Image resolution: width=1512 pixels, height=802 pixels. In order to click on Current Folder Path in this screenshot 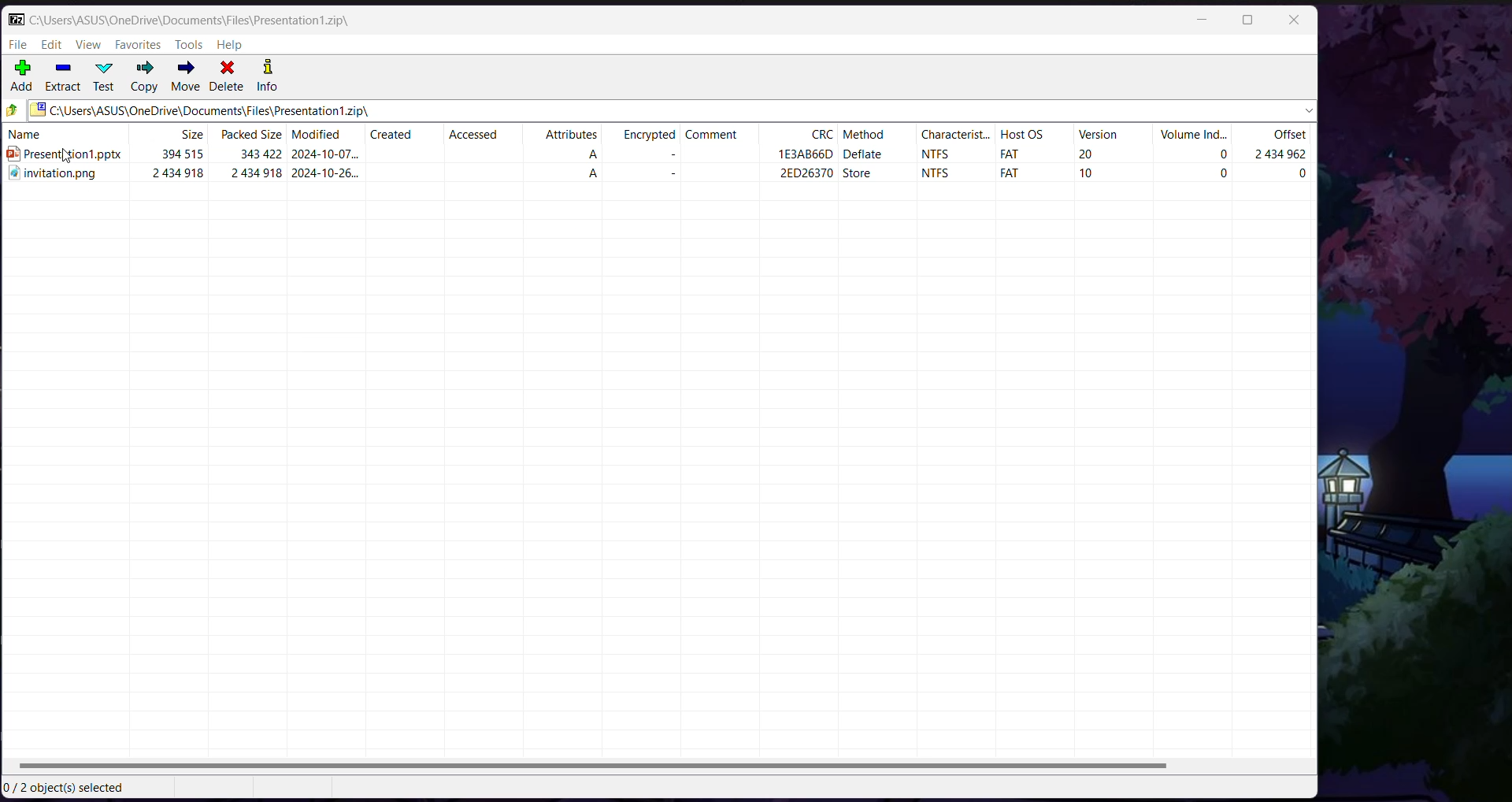, I will do `click(192, 20)`.